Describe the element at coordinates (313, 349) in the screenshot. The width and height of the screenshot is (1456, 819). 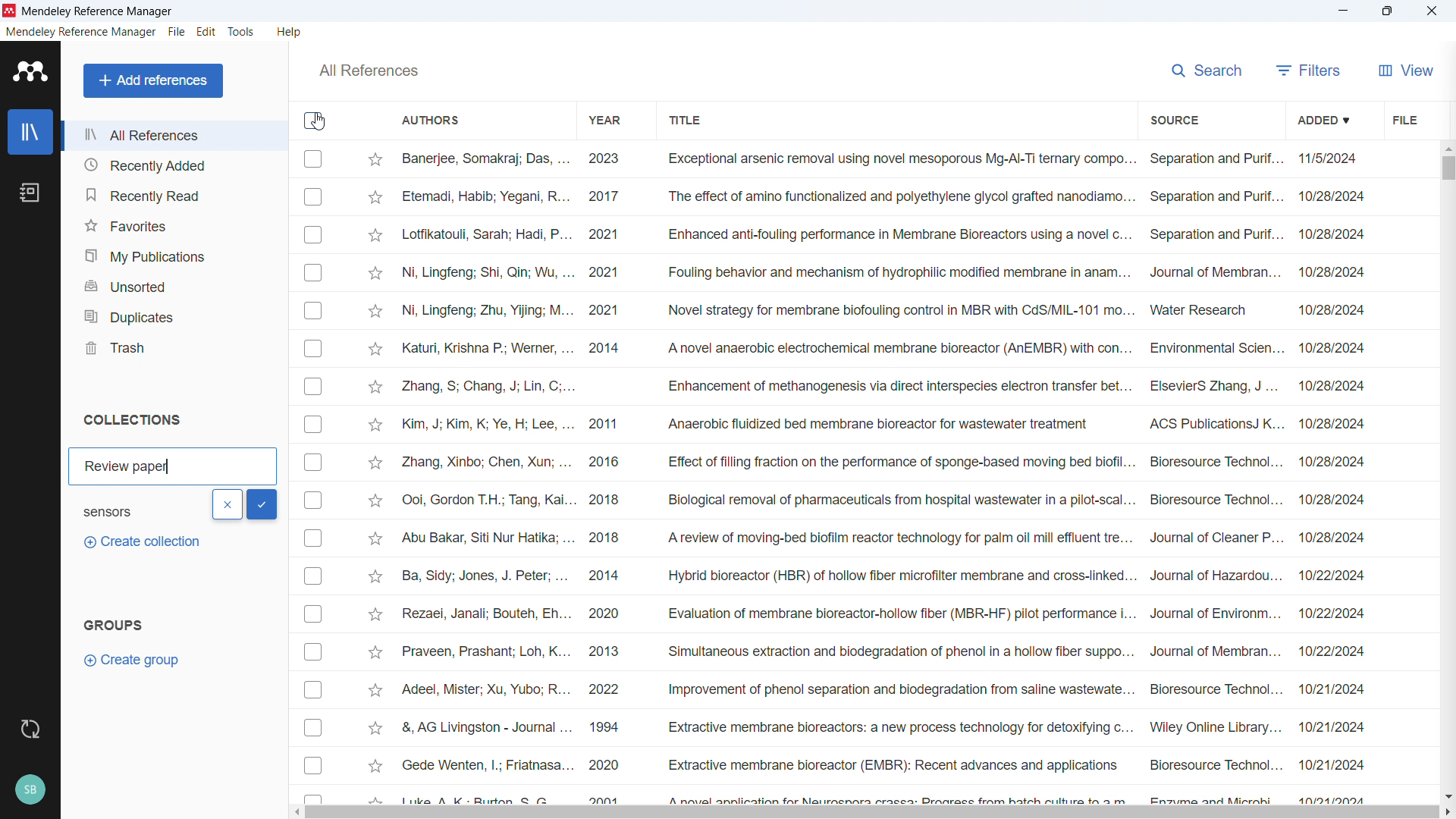
I see `Select respective publication` at that location.